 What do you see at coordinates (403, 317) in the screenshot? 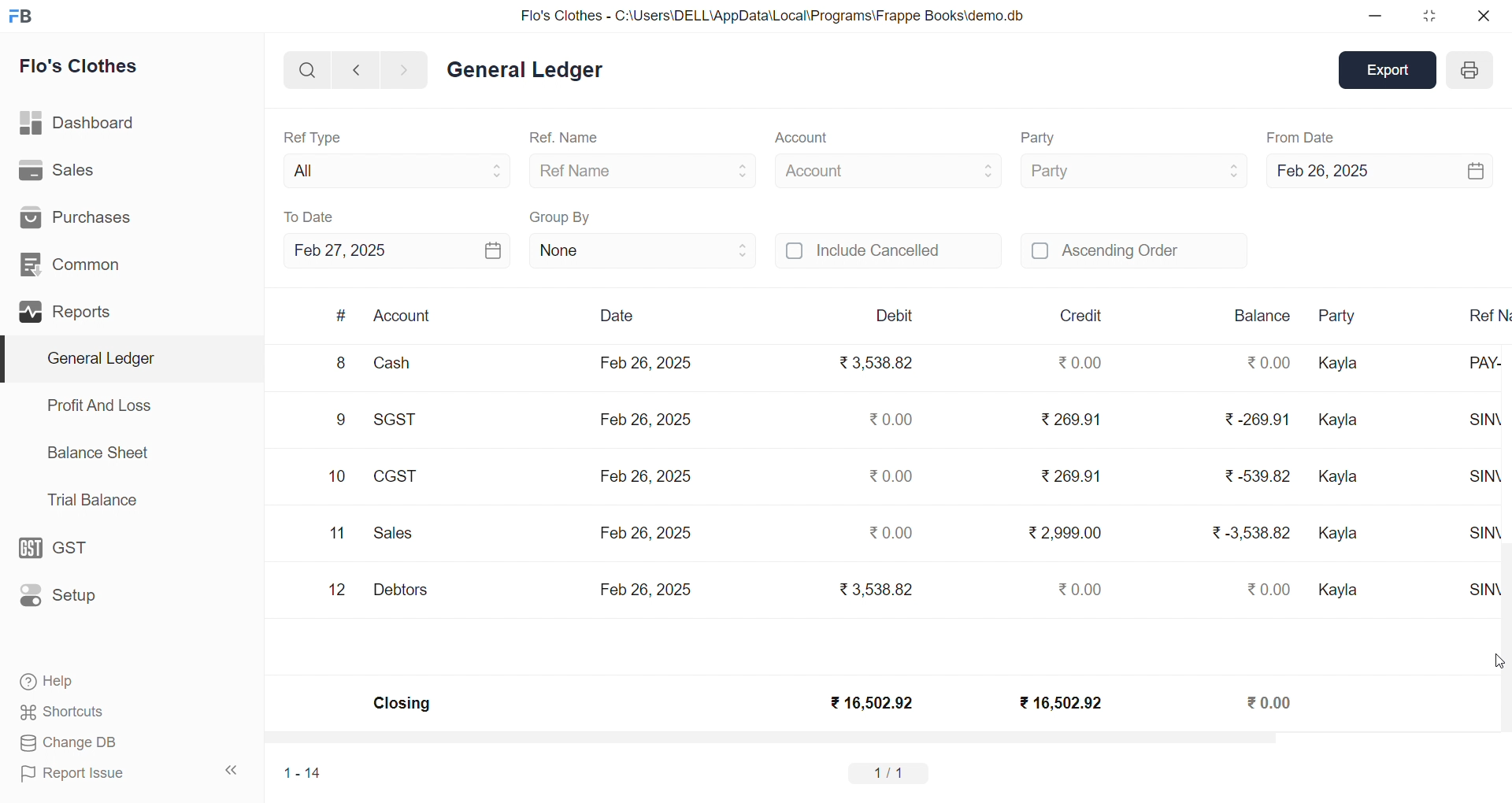
I see `Account` at bounding box center [403, 317].